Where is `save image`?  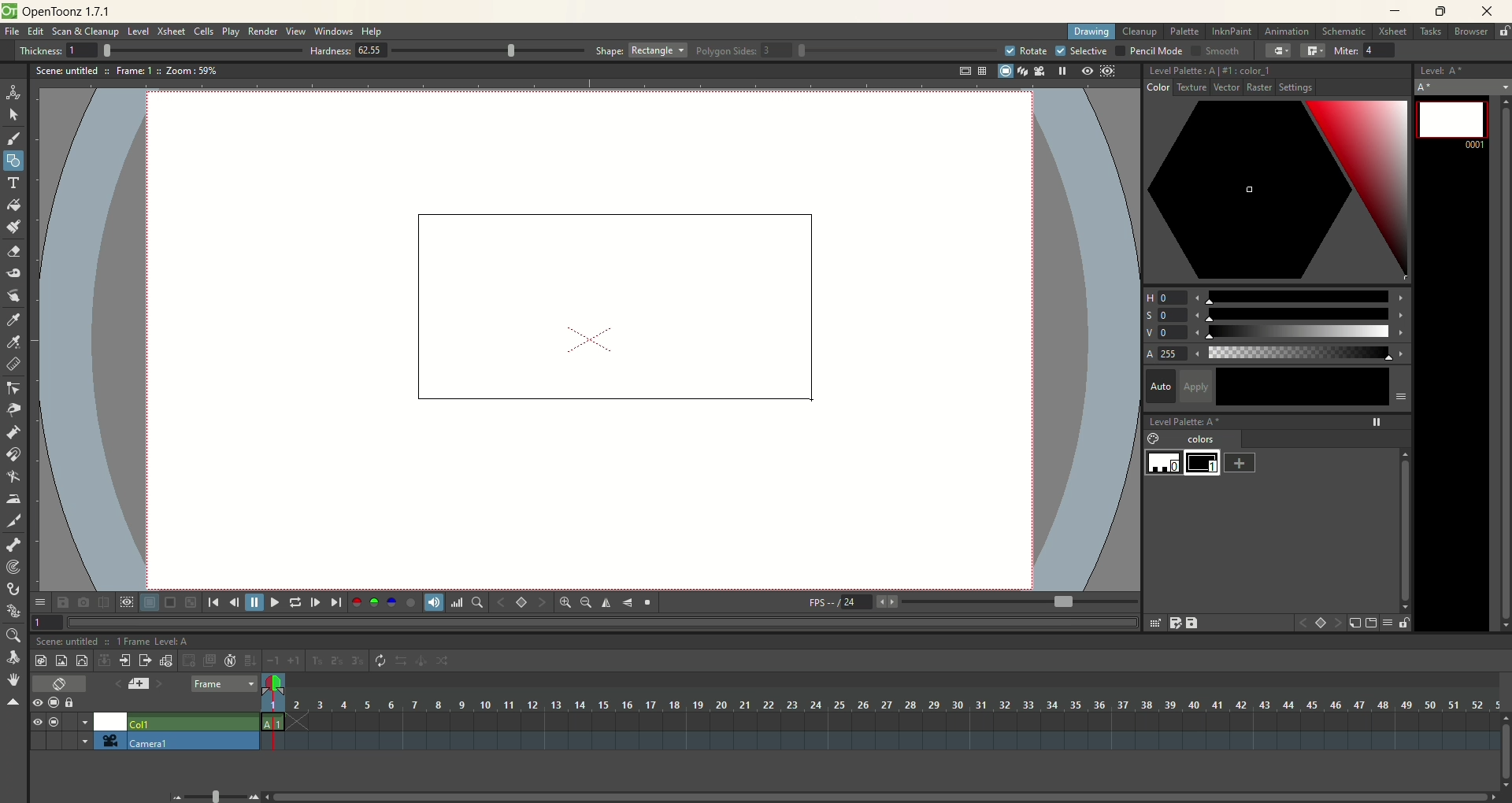 save image is located at coordinates (65, 602).